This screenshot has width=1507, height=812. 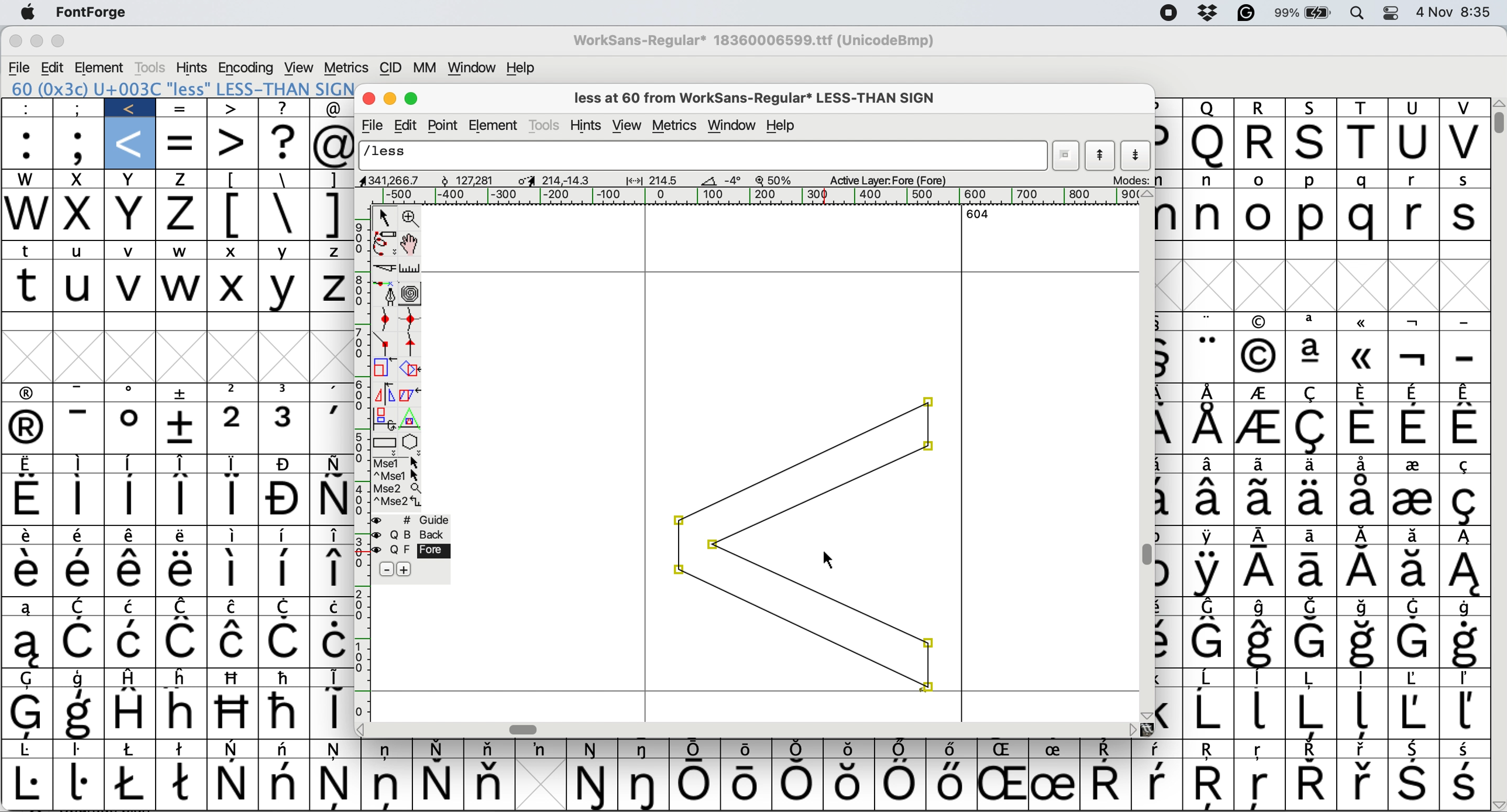 I want to click on Symbol, so click(x=1312, y=642).